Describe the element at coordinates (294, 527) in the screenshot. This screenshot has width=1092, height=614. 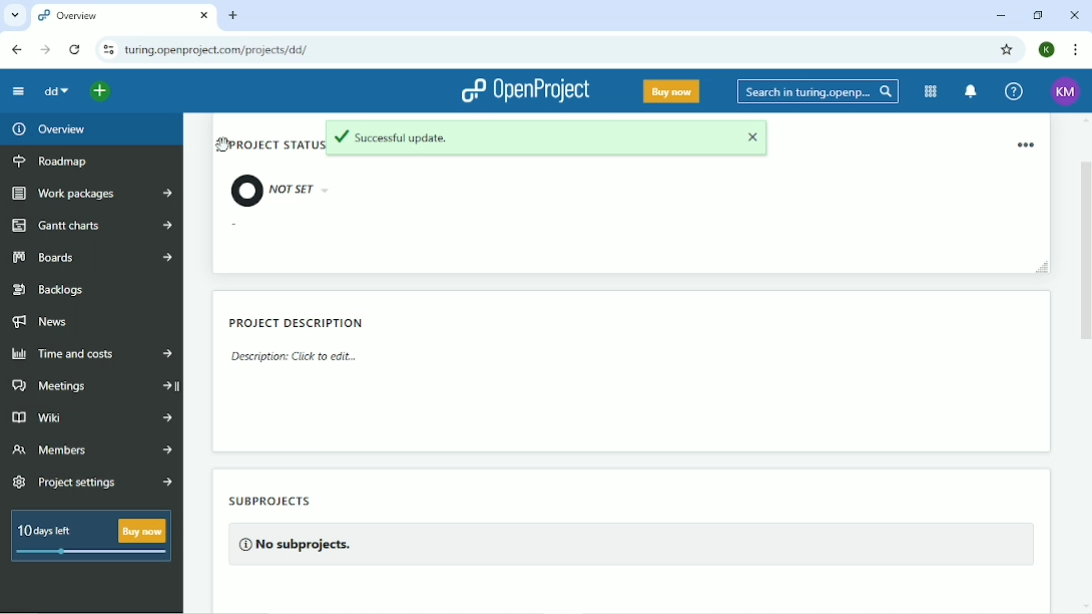
I see `Subprojects` at that location.